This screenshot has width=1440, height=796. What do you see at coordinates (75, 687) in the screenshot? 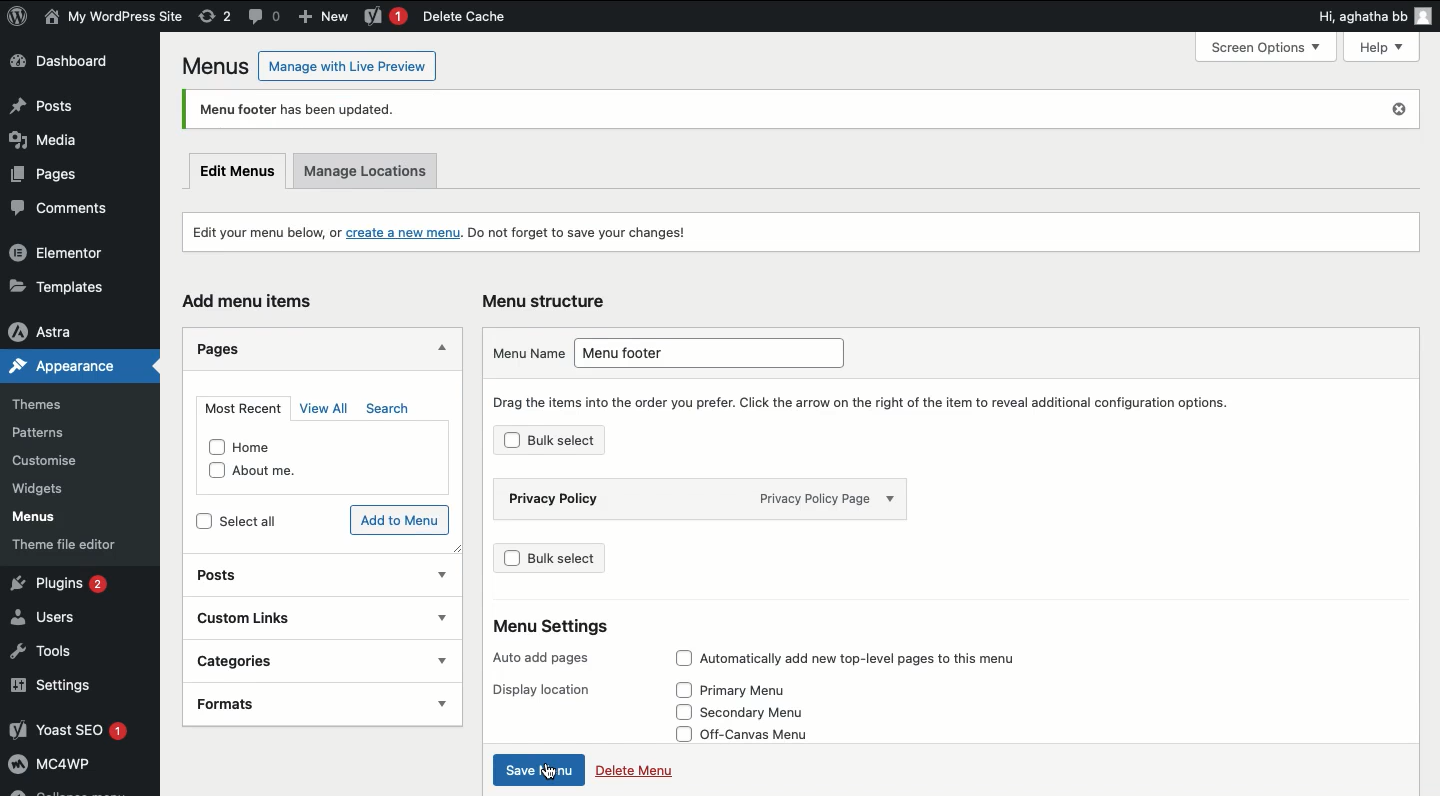
I see `Settings` at bounding box center [75, 687].